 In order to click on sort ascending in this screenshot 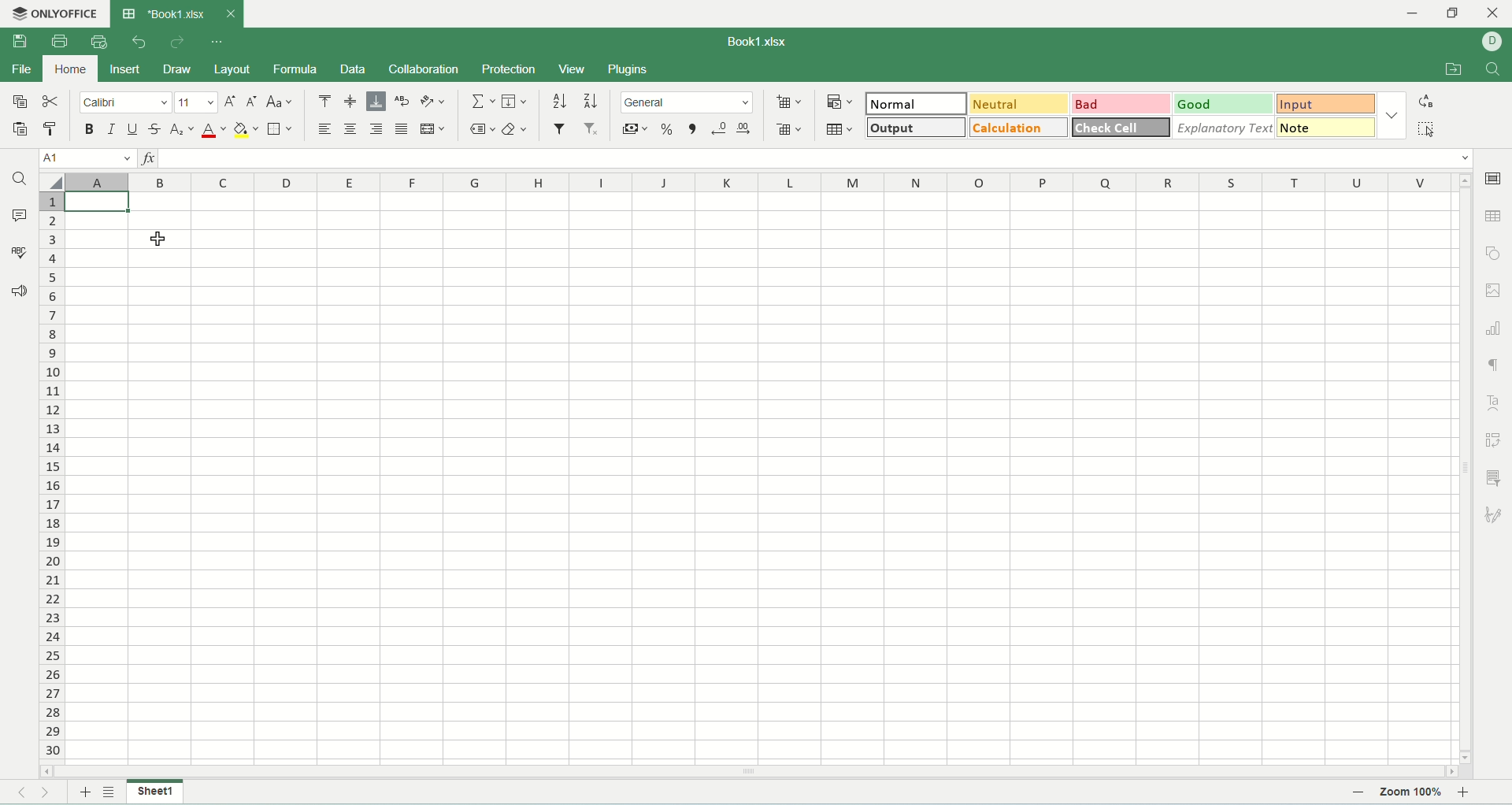, I will do `click(561, 99)`.